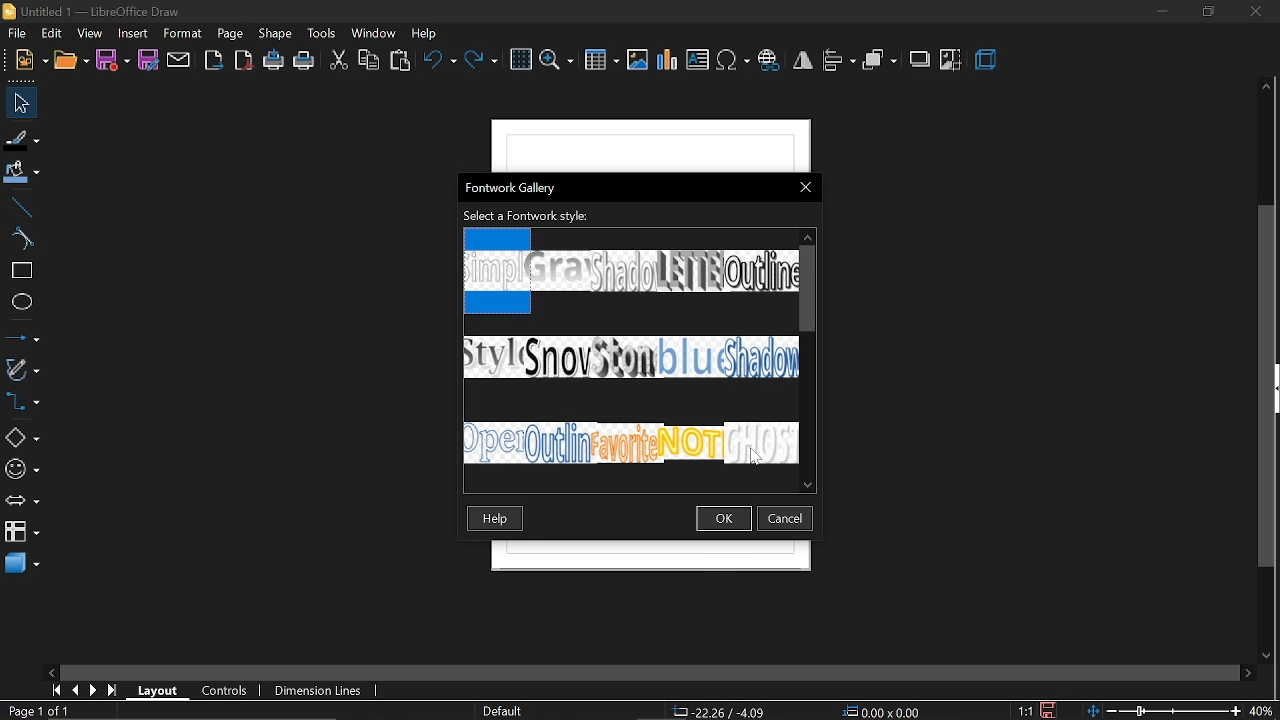  I want to click on redo, so click(482, 62).